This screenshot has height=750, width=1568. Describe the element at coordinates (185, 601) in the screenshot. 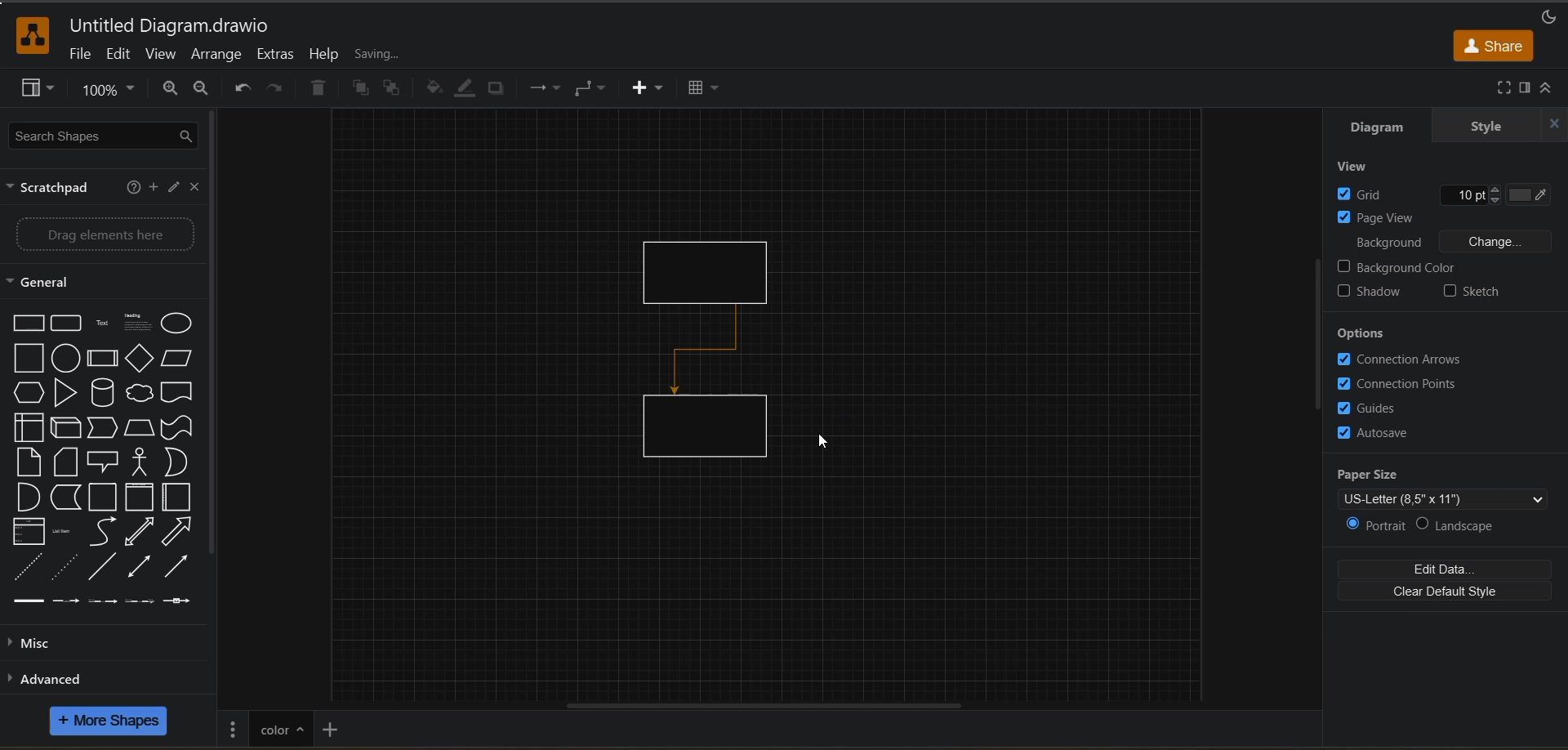

I see `Connector with symbol` at that location.